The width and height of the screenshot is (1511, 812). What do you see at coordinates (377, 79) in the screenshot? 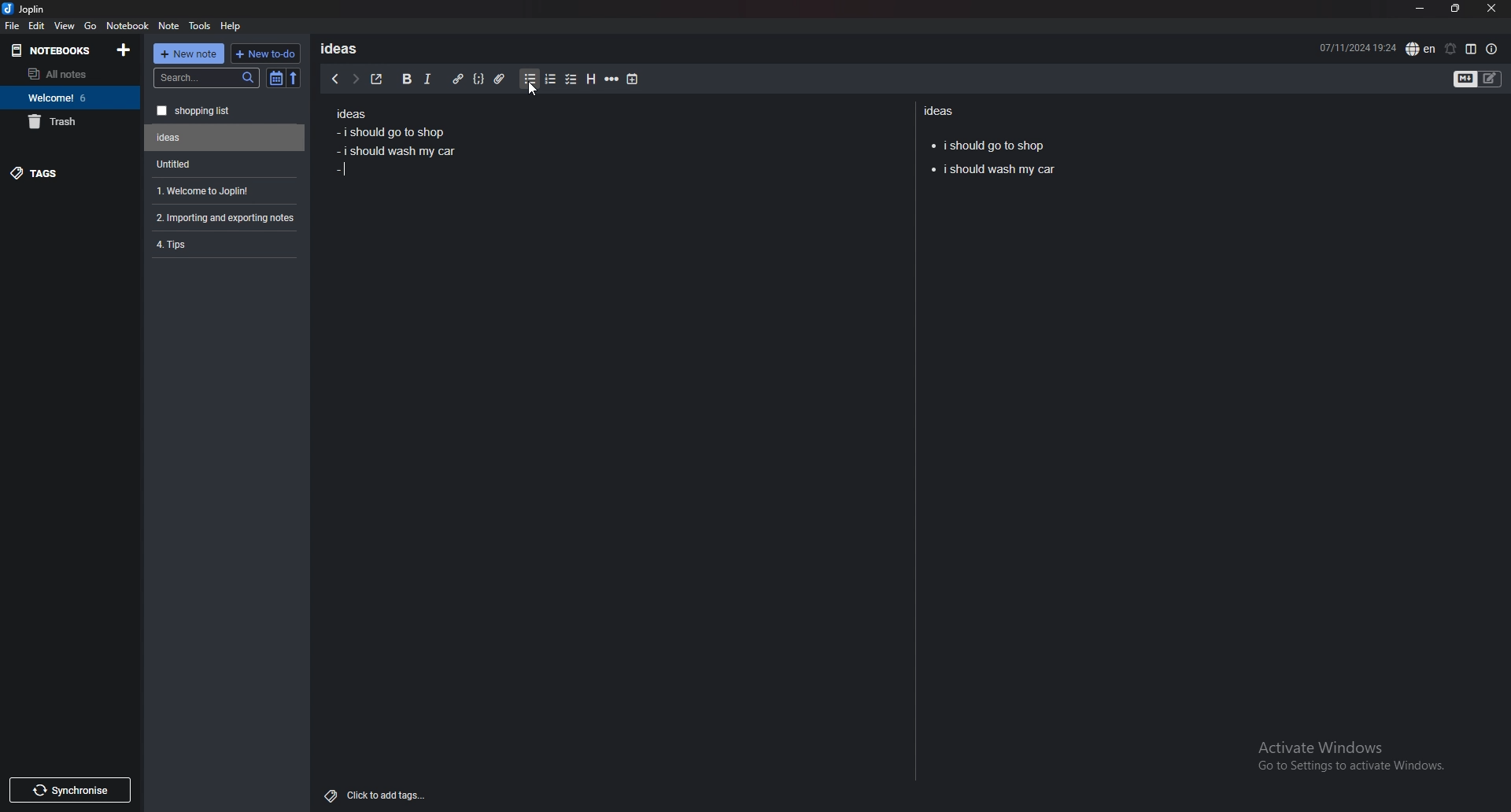
I see `toggle external editor` at bounding box center [377, 79].